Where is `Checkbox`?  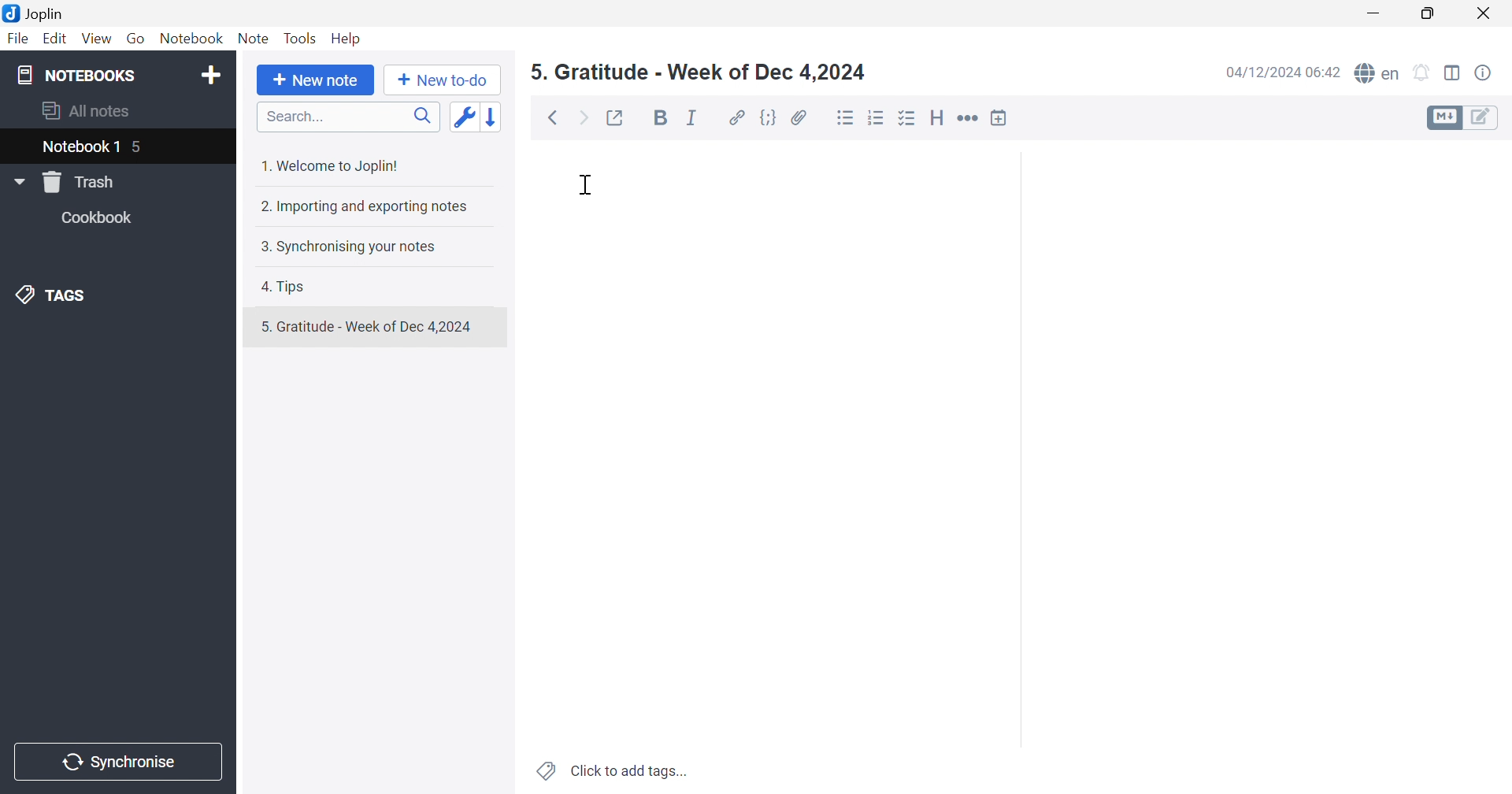
Checkbox is located at coordinates (908, 119).